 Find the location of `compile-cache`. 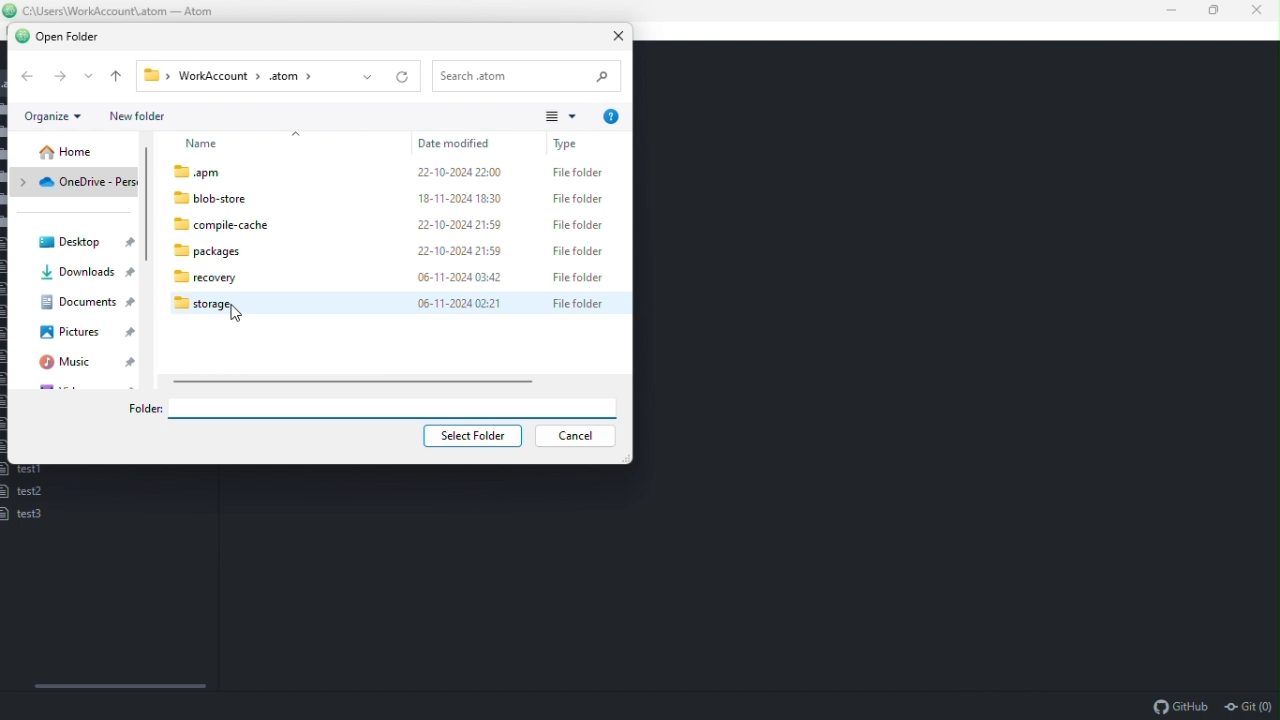

compile-cache is located at coordinates (390, 225).